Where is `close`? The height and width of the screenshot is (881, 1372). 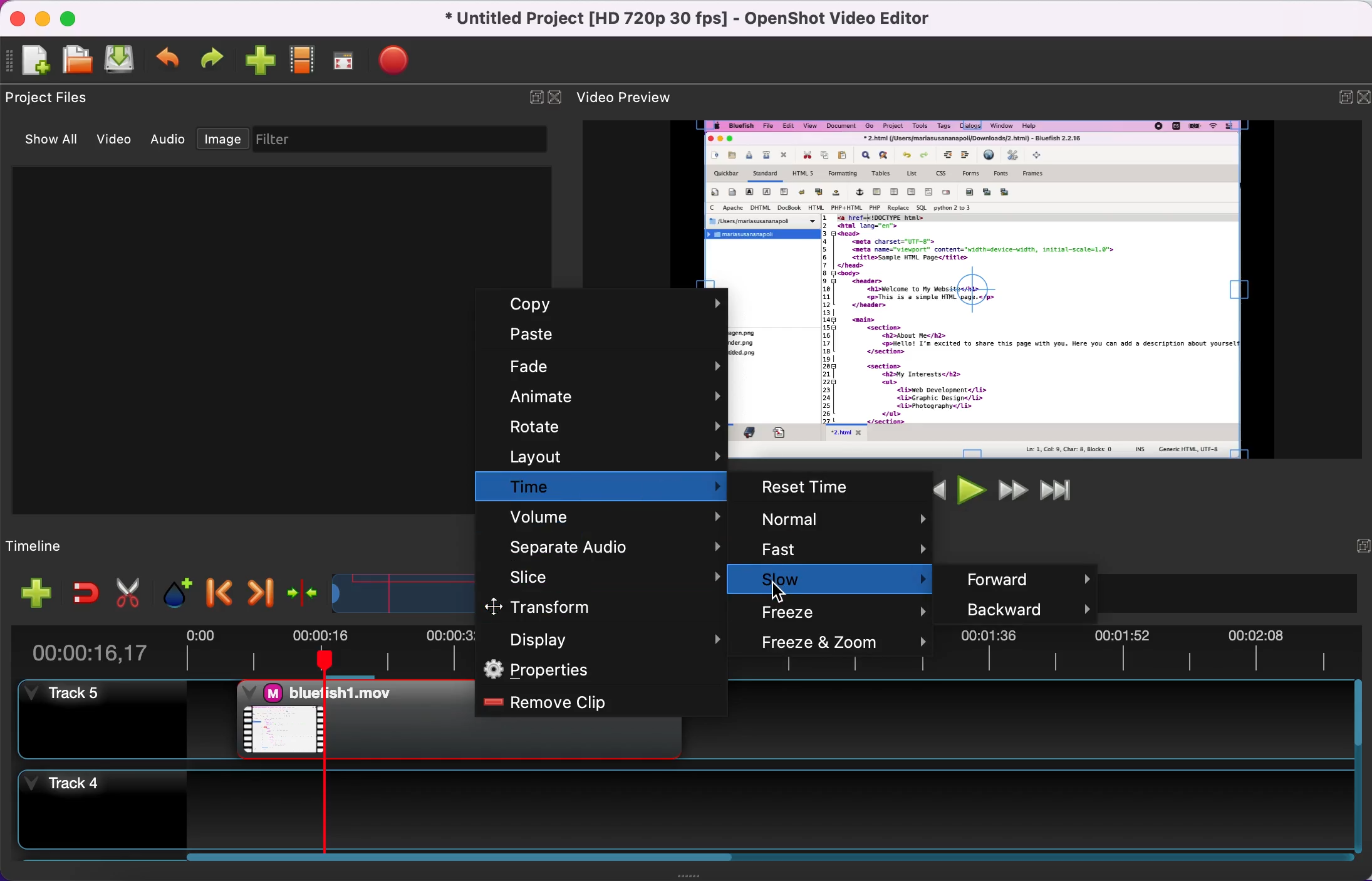 close is located at coordinates (21, 21).